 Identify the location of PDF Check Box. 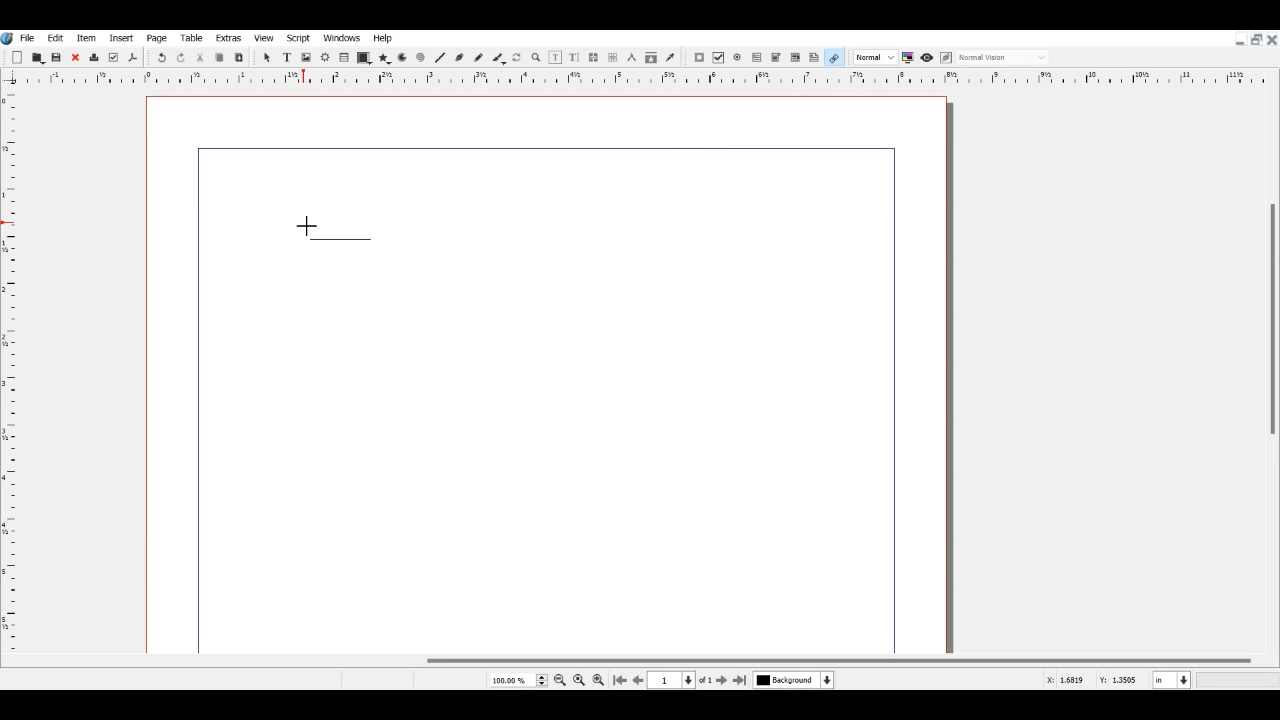
(719, 58).